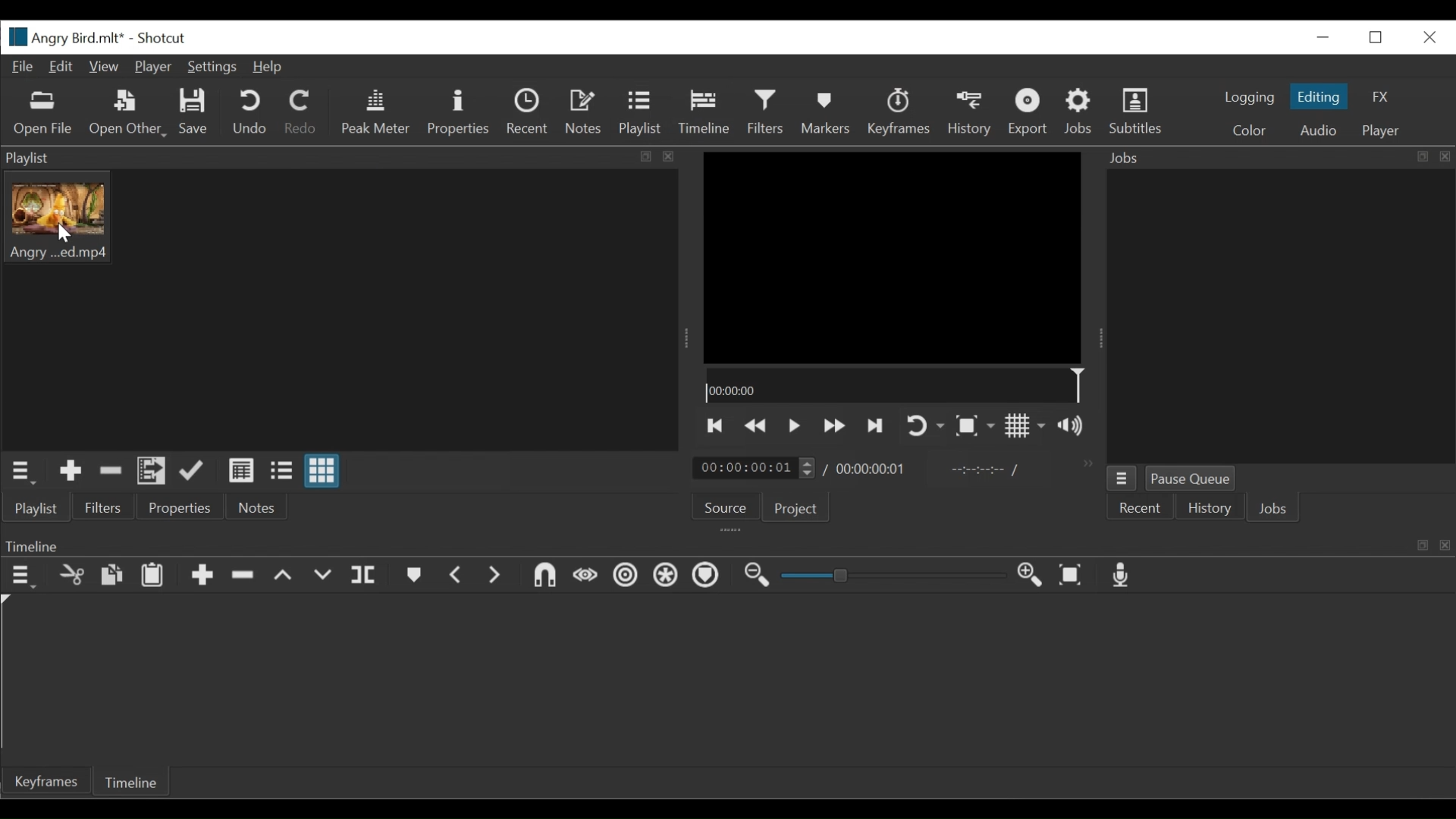  I want to click on Toggle player looping, so click(926, 425).